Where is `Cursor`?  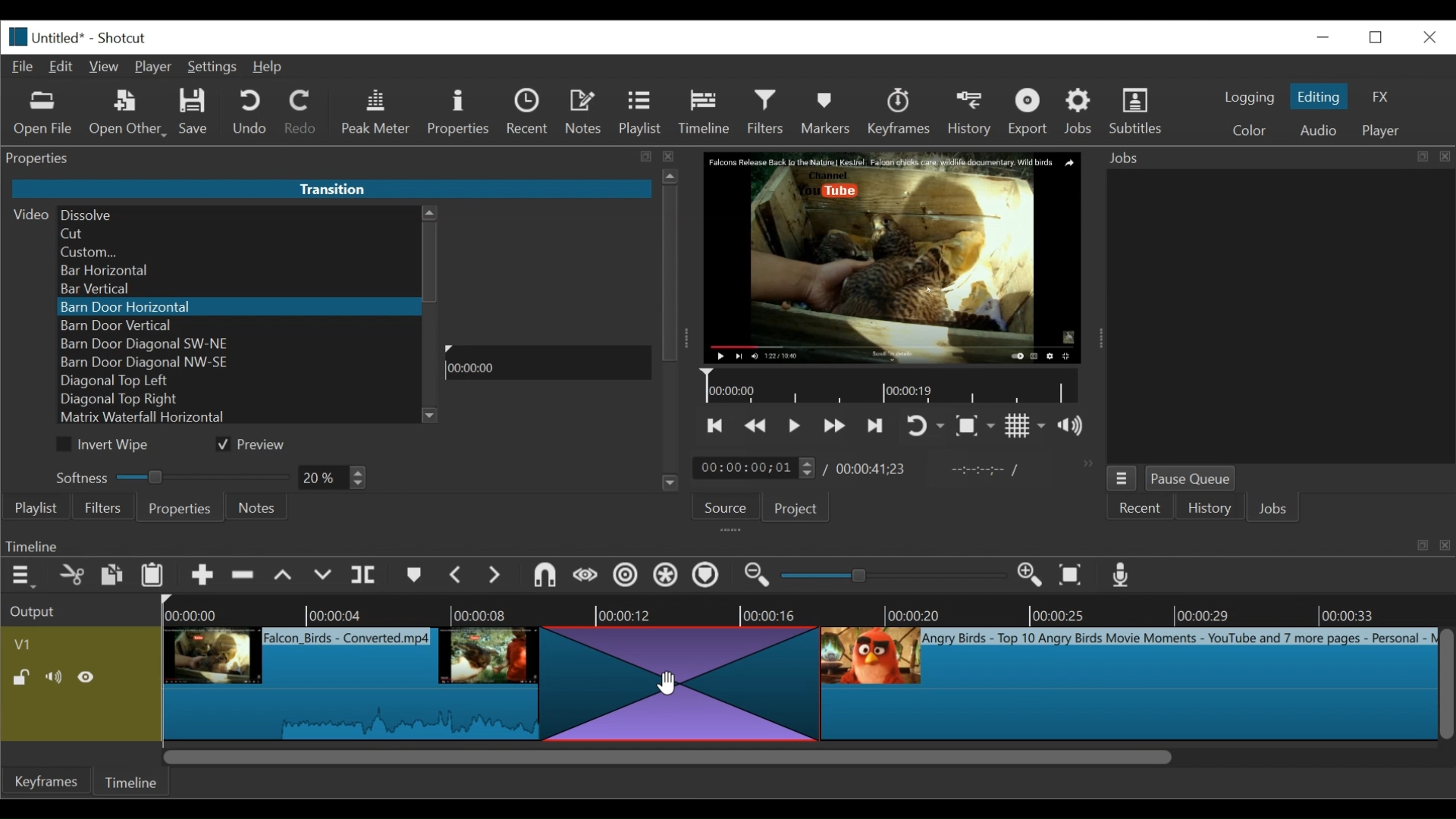 Cursor is located at coordinates (665, 681).